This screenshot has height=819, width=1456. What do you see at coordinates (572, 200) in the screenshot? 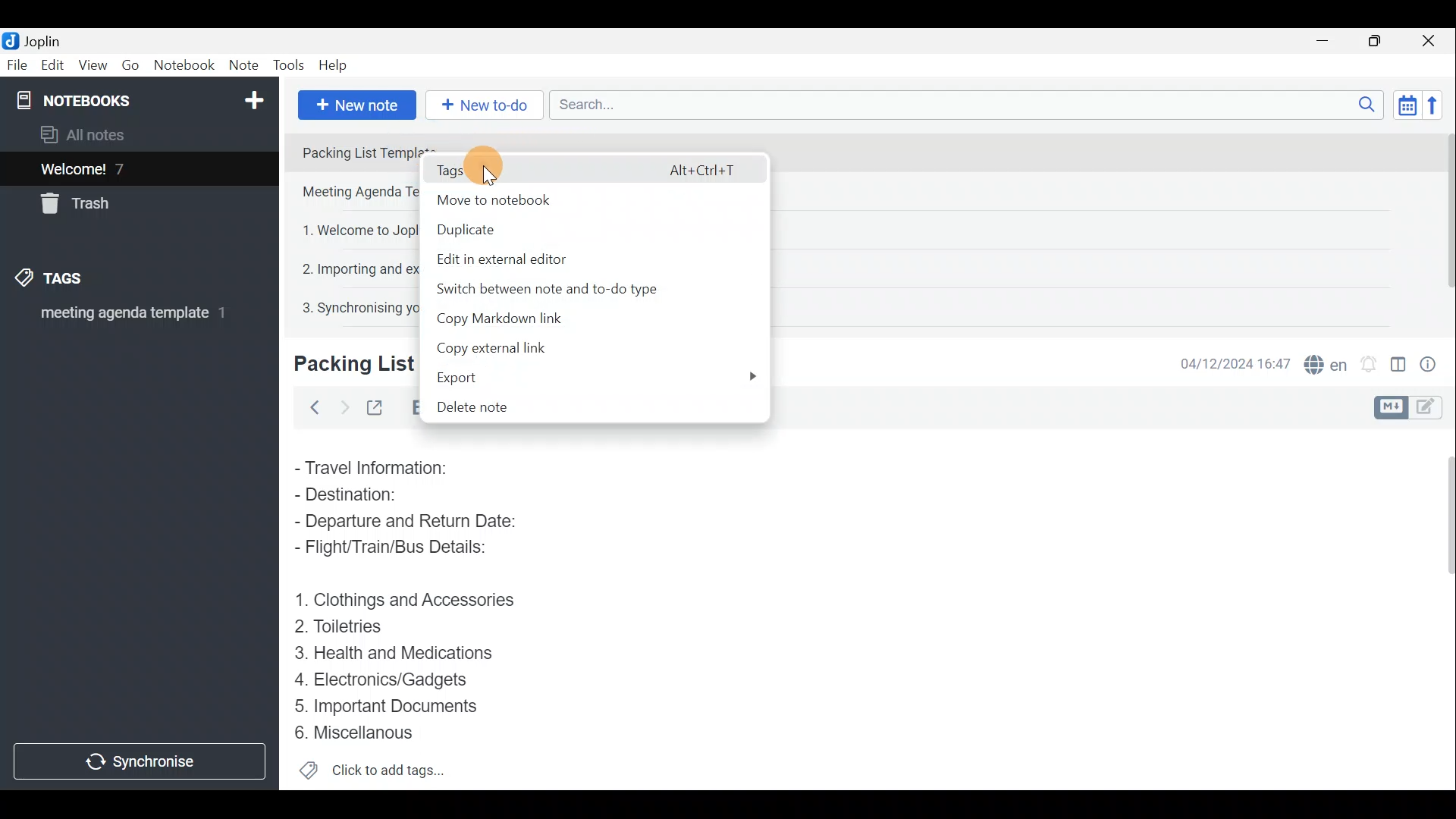
I see `Move to notebook` at bounding box center [572, 200].